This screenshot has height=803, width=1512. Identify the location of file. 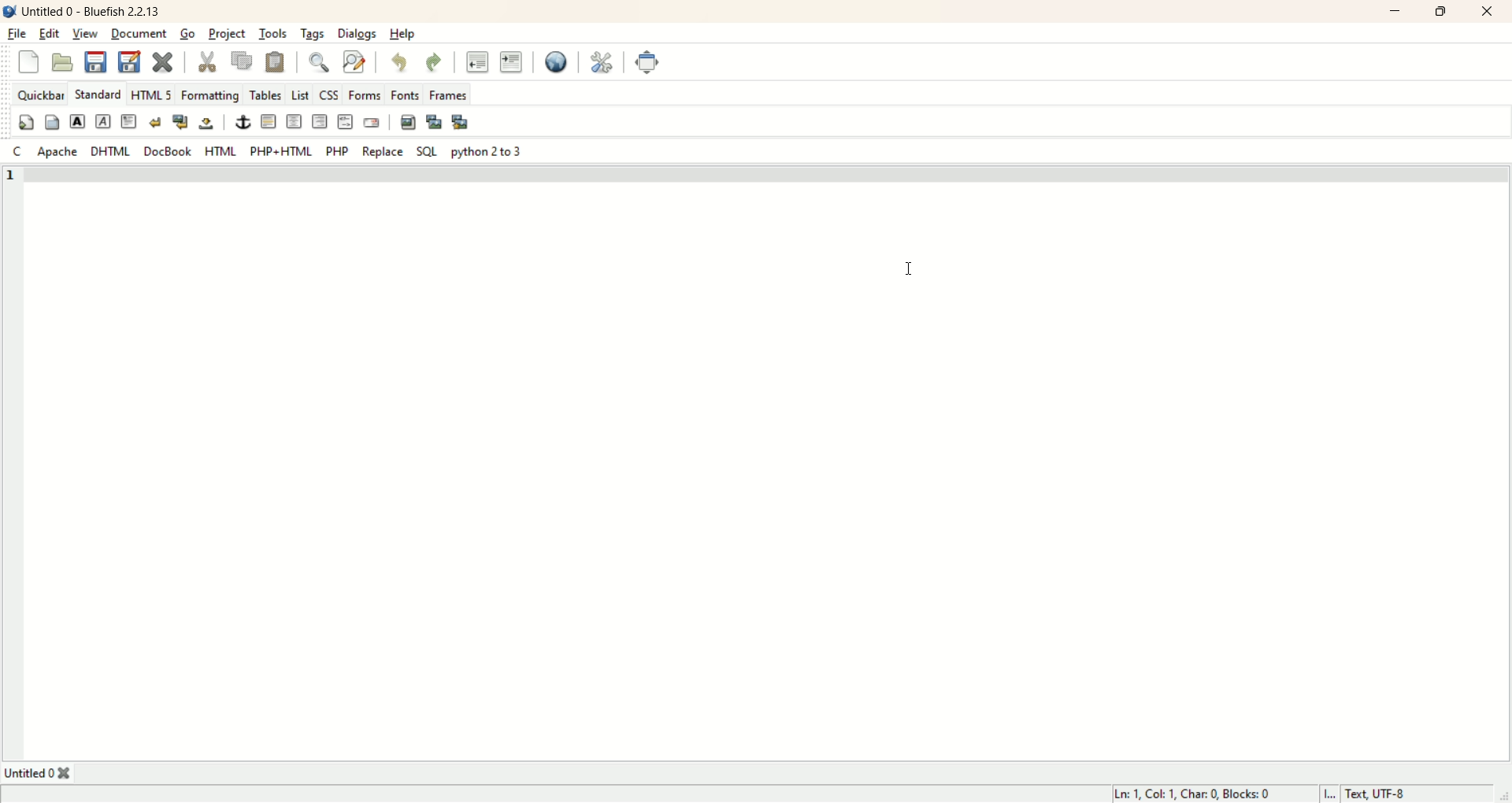
(17, 34).